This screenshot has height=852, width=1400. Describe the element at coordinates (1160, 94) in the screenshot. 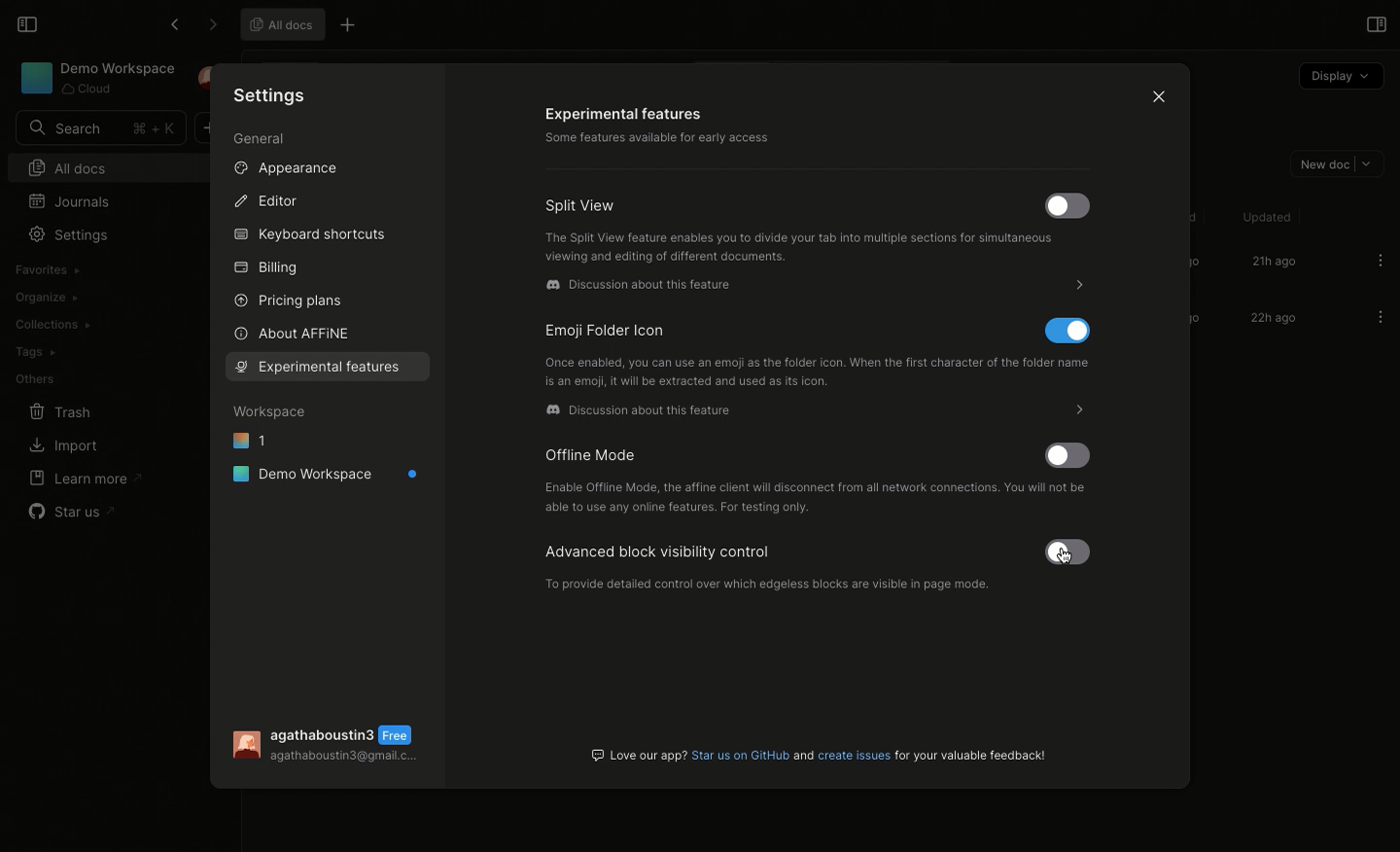

I see `Close` at that location.